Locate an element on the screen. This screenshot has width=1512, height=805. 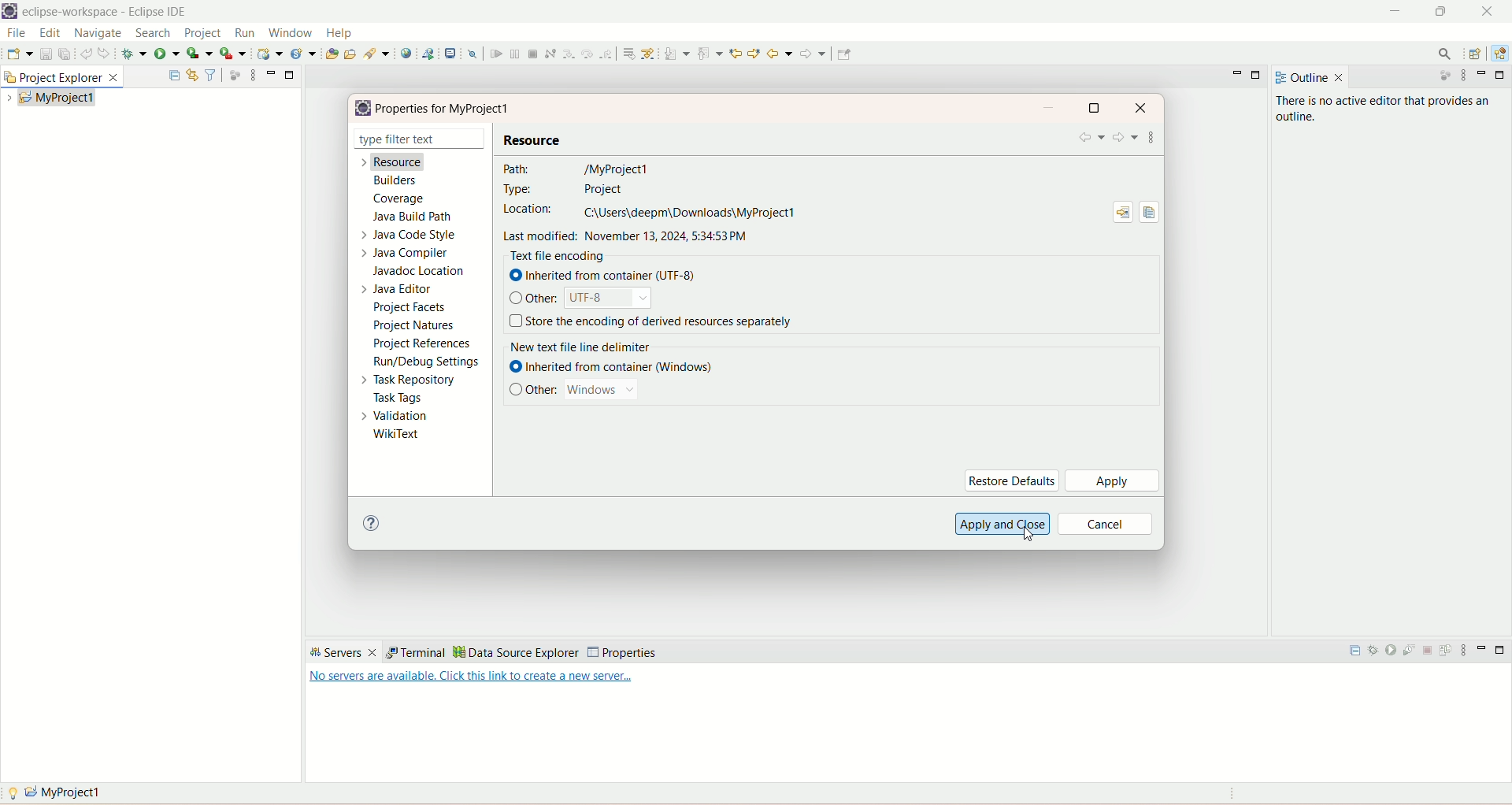
store the encoding of derived resource separately is located at coordinates (665, 323).